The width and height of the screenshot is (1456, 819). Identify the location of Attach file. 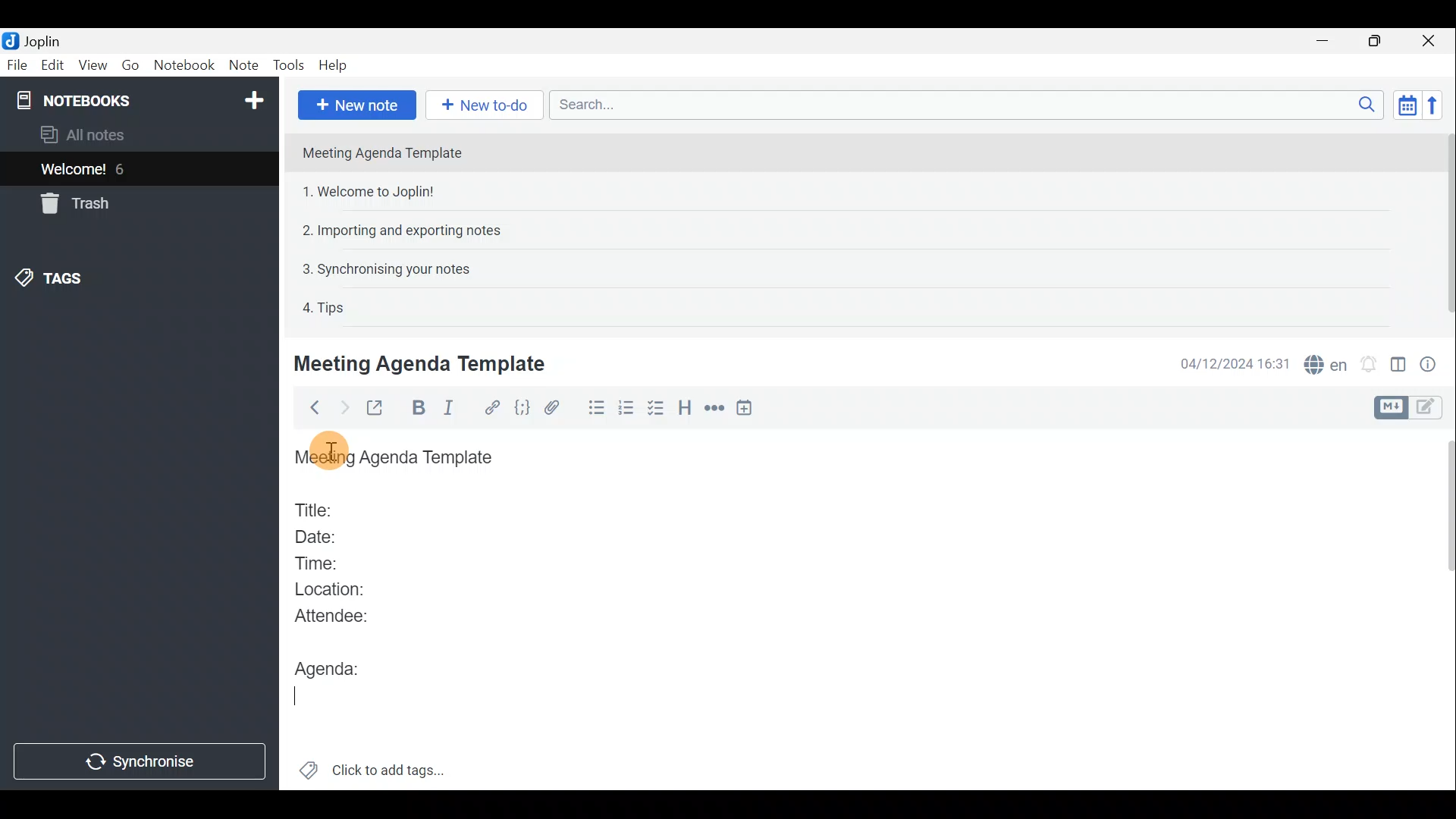
(559, 408).